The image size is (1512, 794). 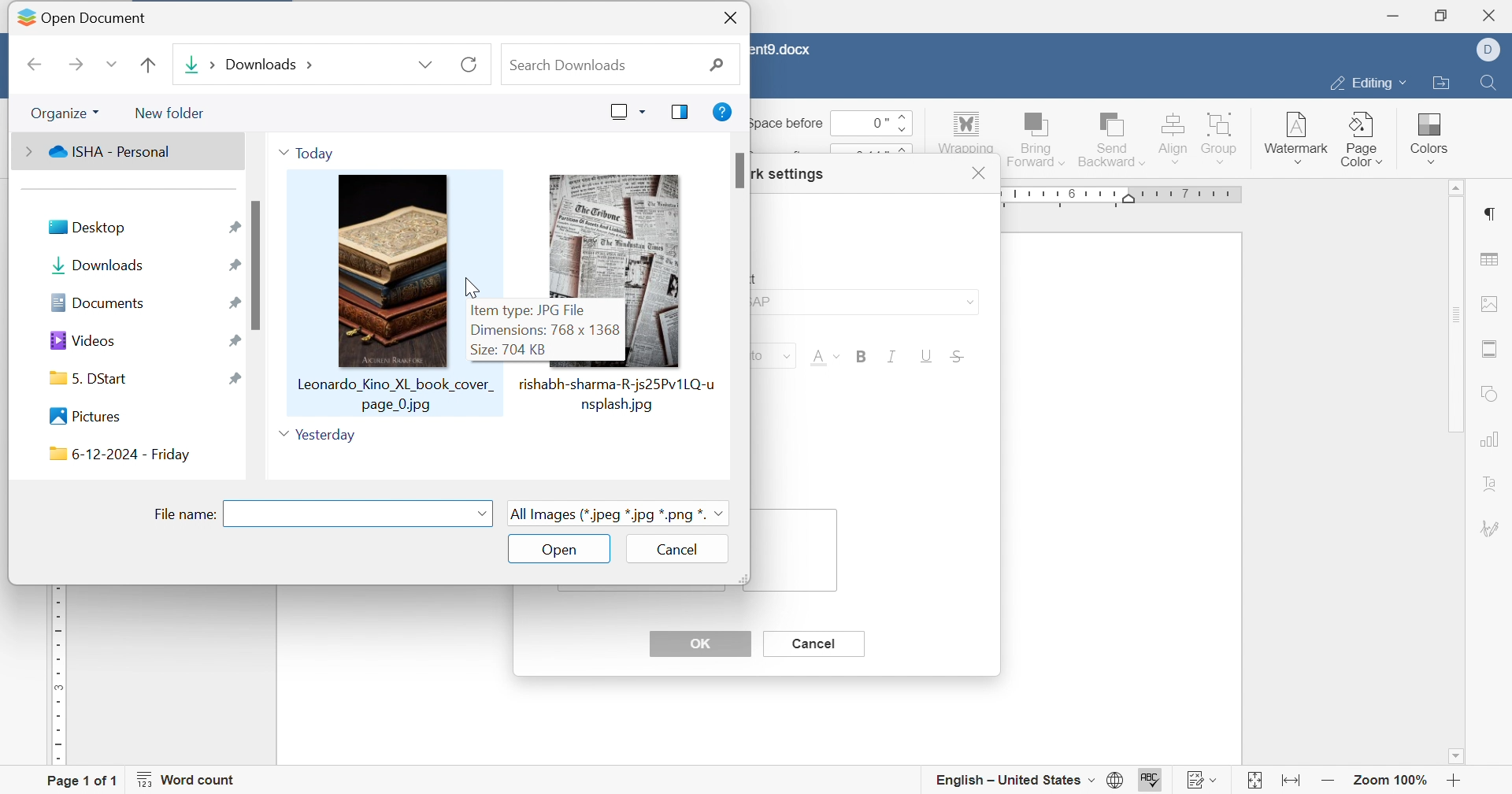 What do you see at coordinates (250, 68) in the screenshot?
I see `downloads` at bounding box center [250, 68].